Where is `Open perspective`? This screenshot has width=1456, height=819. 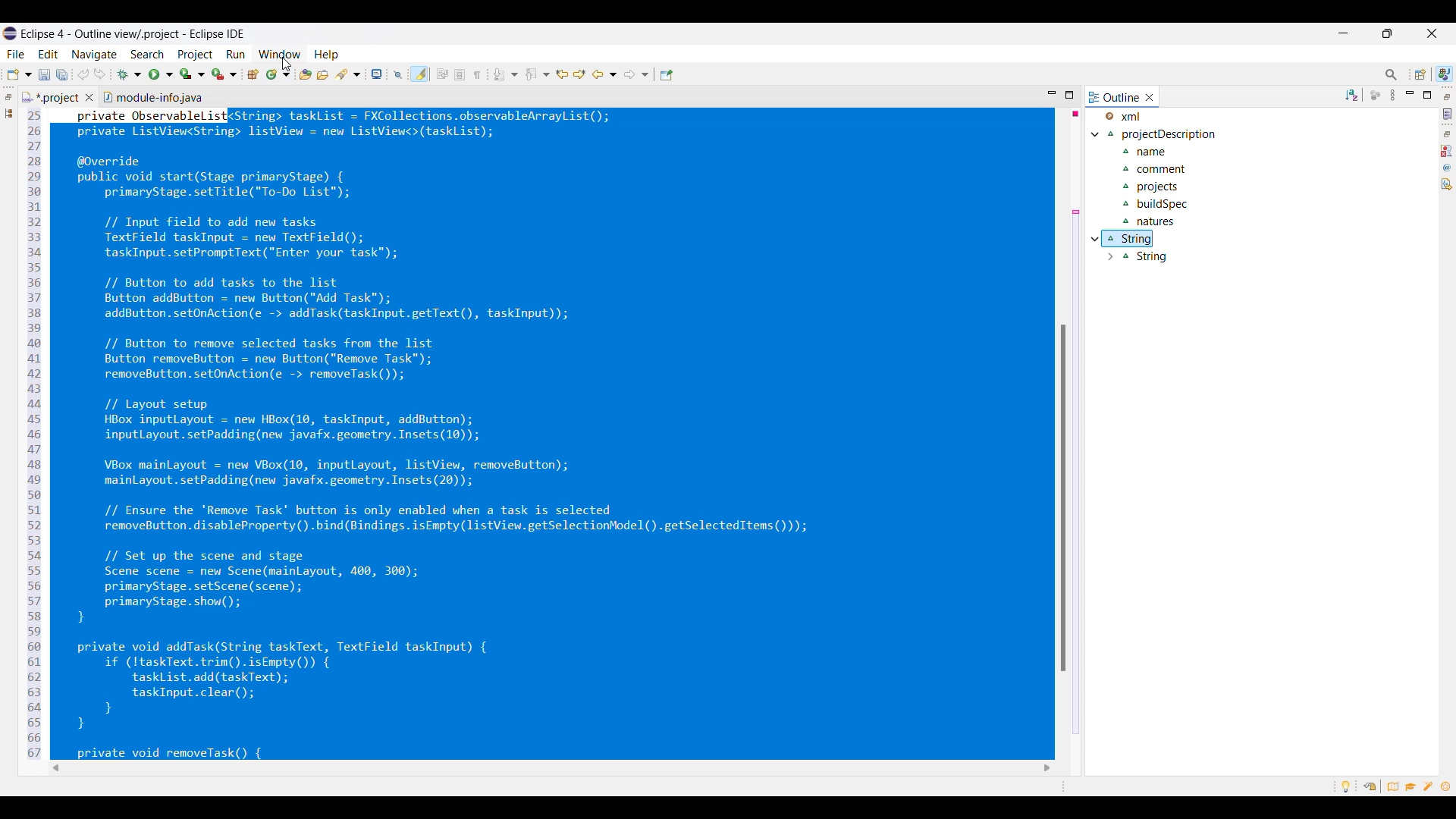
Open perspective is located at coordinates (1421, 74).